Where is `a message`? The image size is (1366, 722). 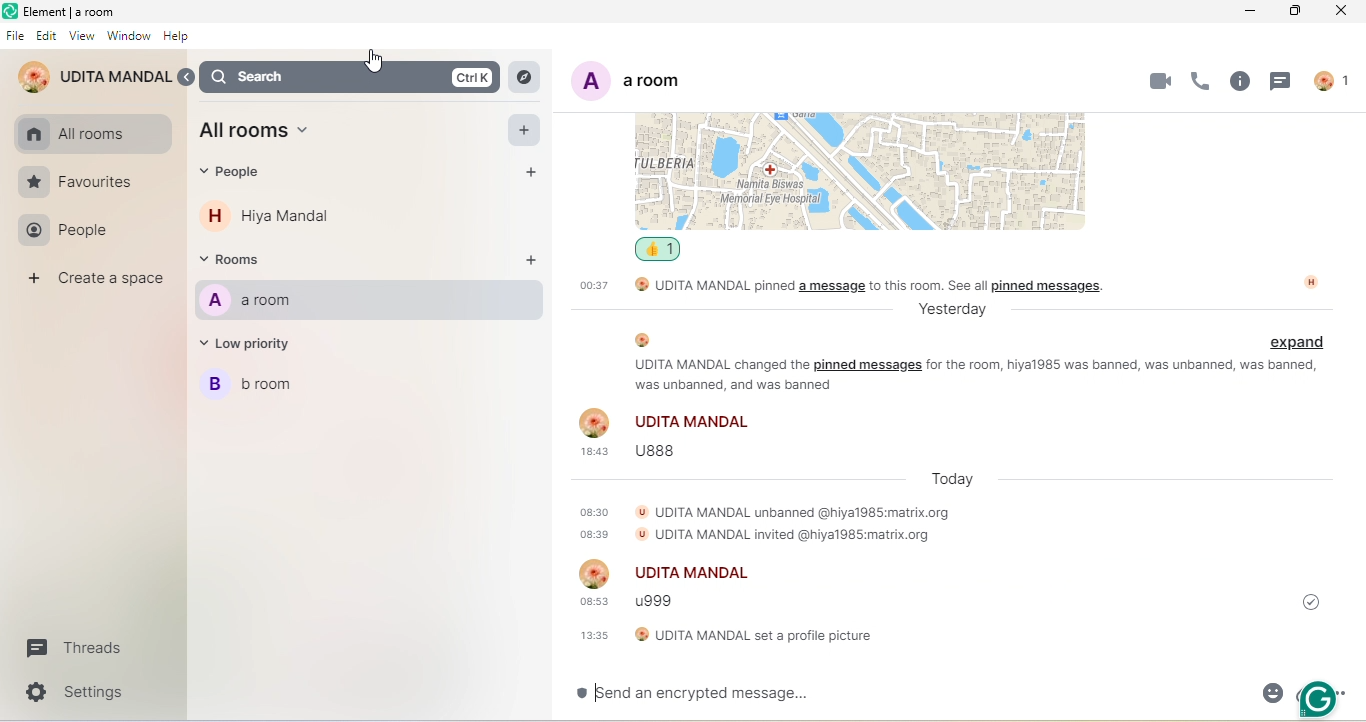
a message is located at coordinates (833, 287).